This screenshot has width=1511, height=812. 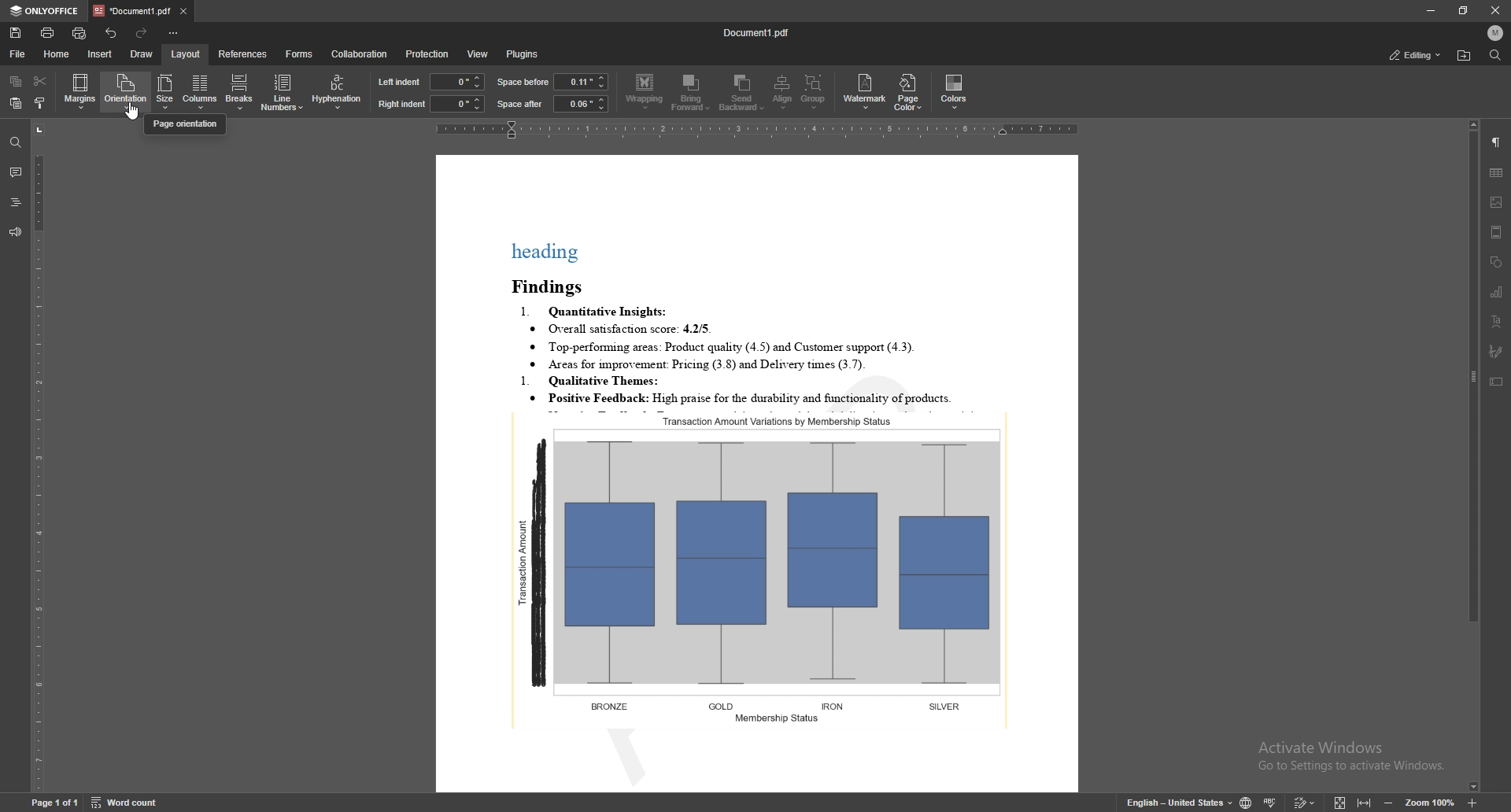 What do you see at coordinates (46, 11) in the screenshot?
I see `onlyoffice` at bounding box center [46, 11].